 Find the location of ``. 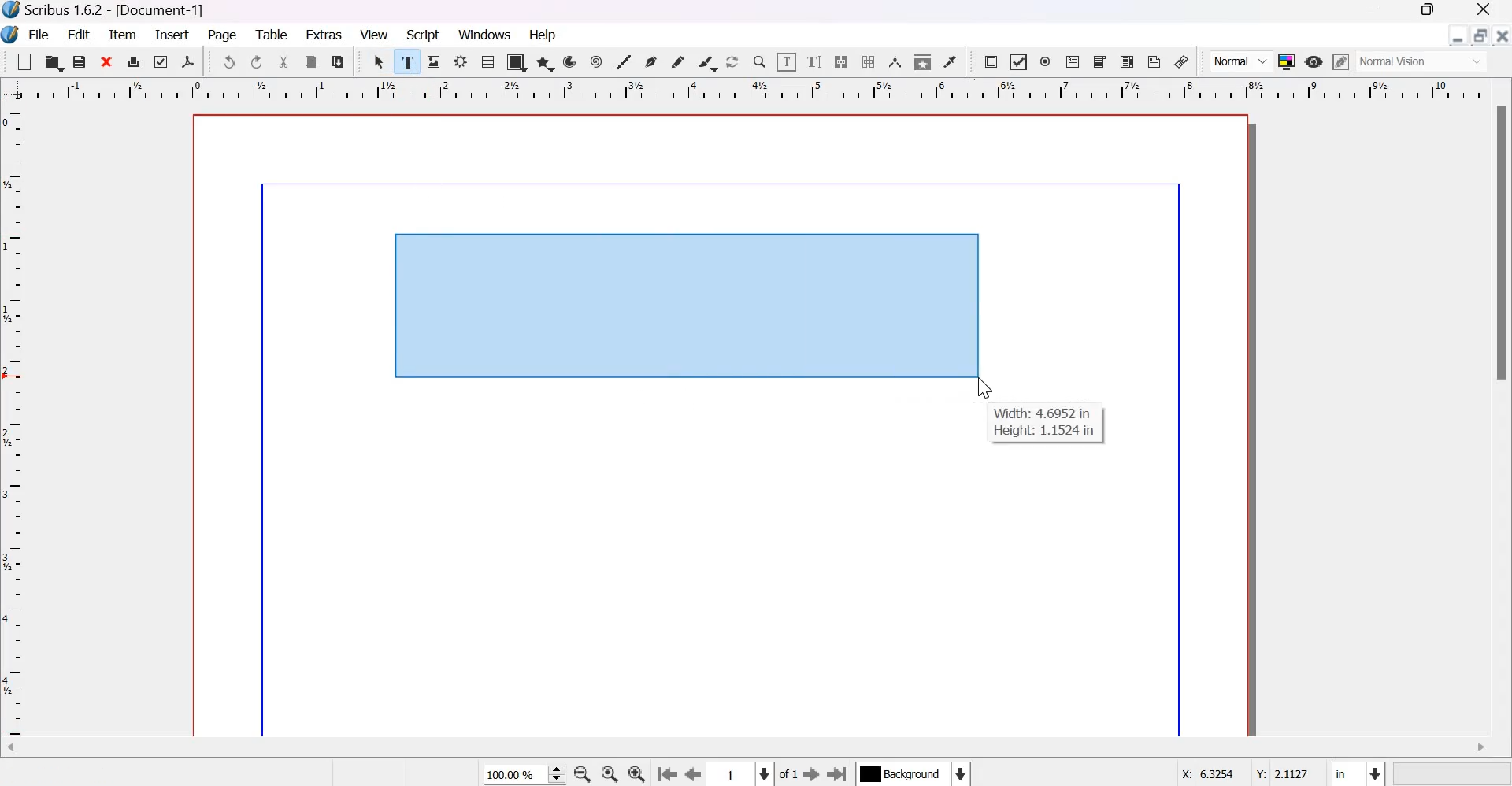

 is located at coordinates (759, 61).